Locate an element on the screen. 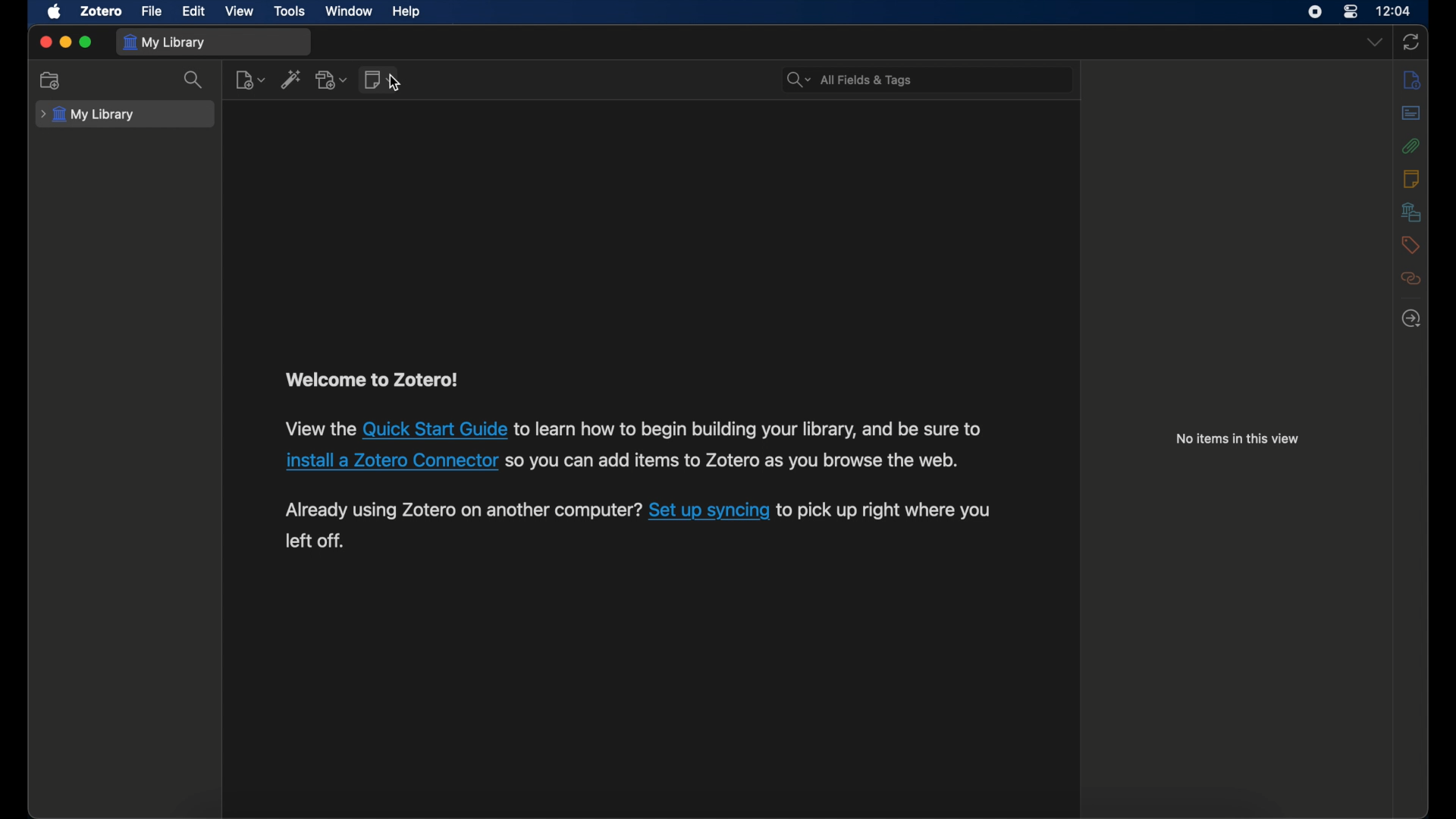  search is located at coordinates (852, 80).